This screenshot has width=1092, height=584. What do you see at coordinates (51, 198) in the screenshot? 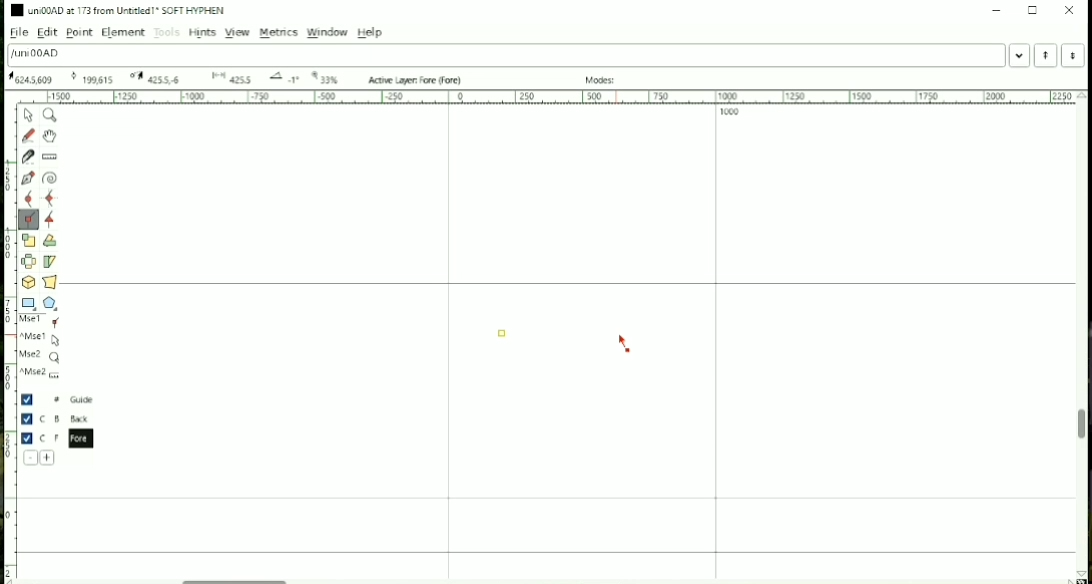
I see `Add a curve point always either horizontal or vertical` at bounding box center [51, 198].